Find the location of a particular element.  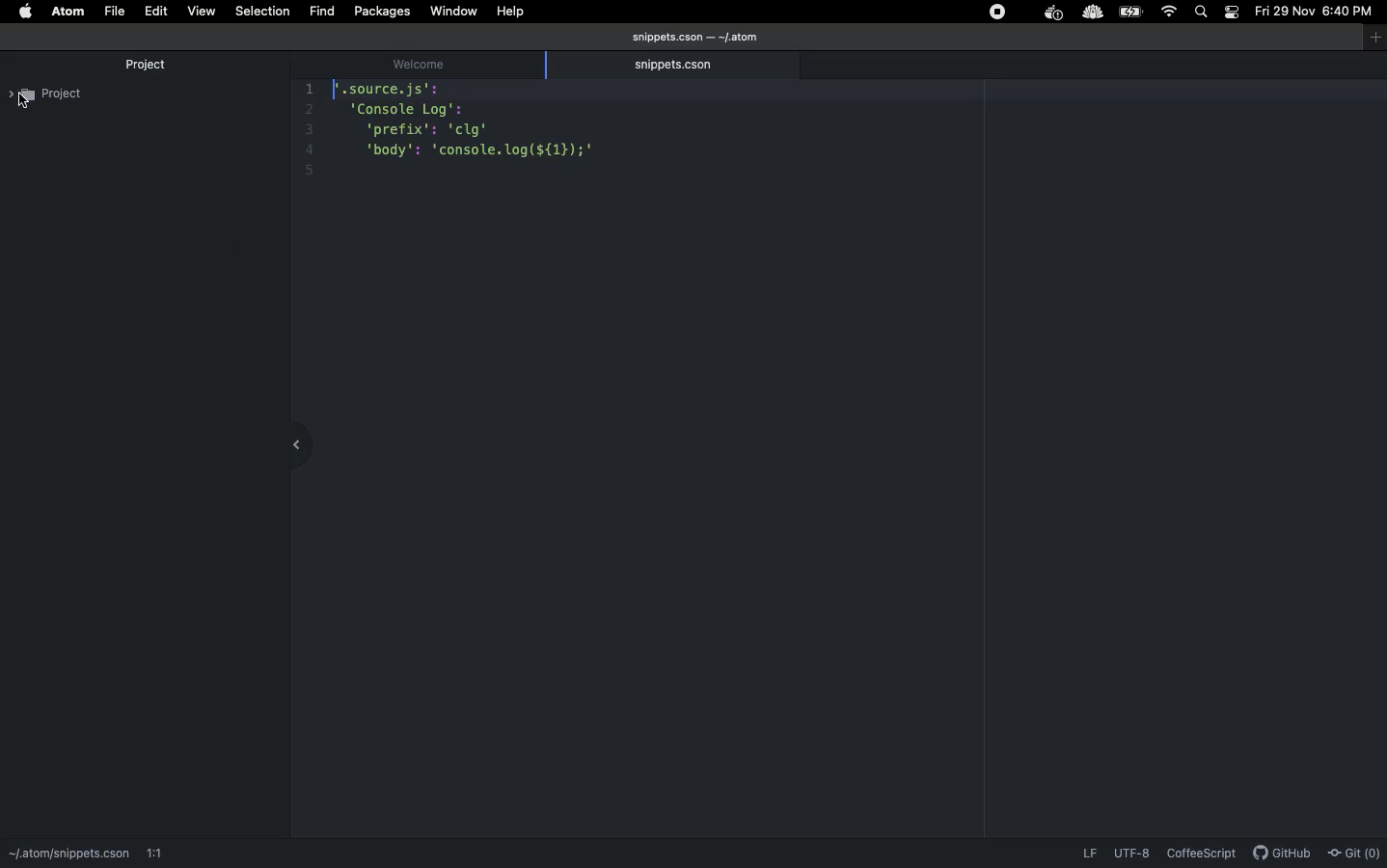

Help is located at coordinates (511, 11).